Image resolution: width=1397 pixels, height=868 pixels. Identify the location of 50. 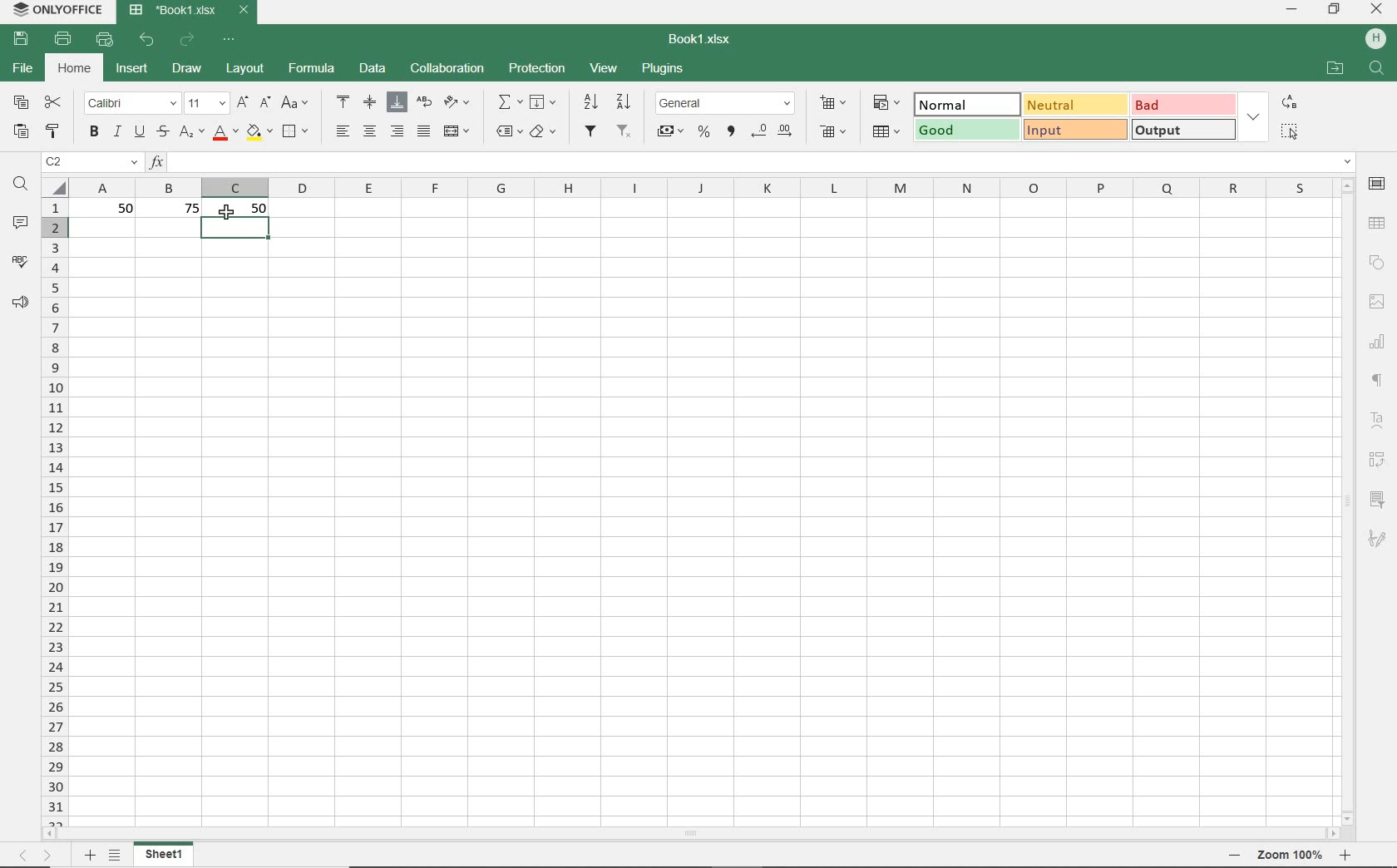
(119, 209).